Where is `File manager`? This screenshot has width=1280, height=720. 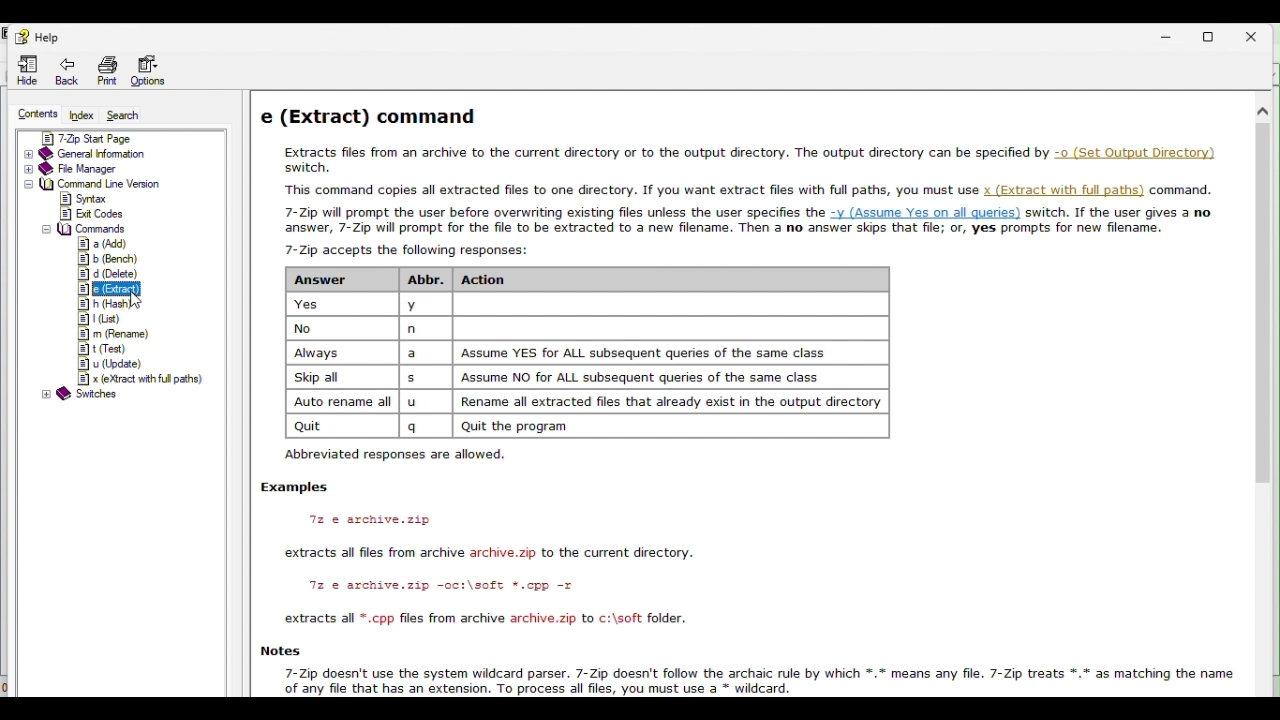
File manager is located at coordinates (106, 169).